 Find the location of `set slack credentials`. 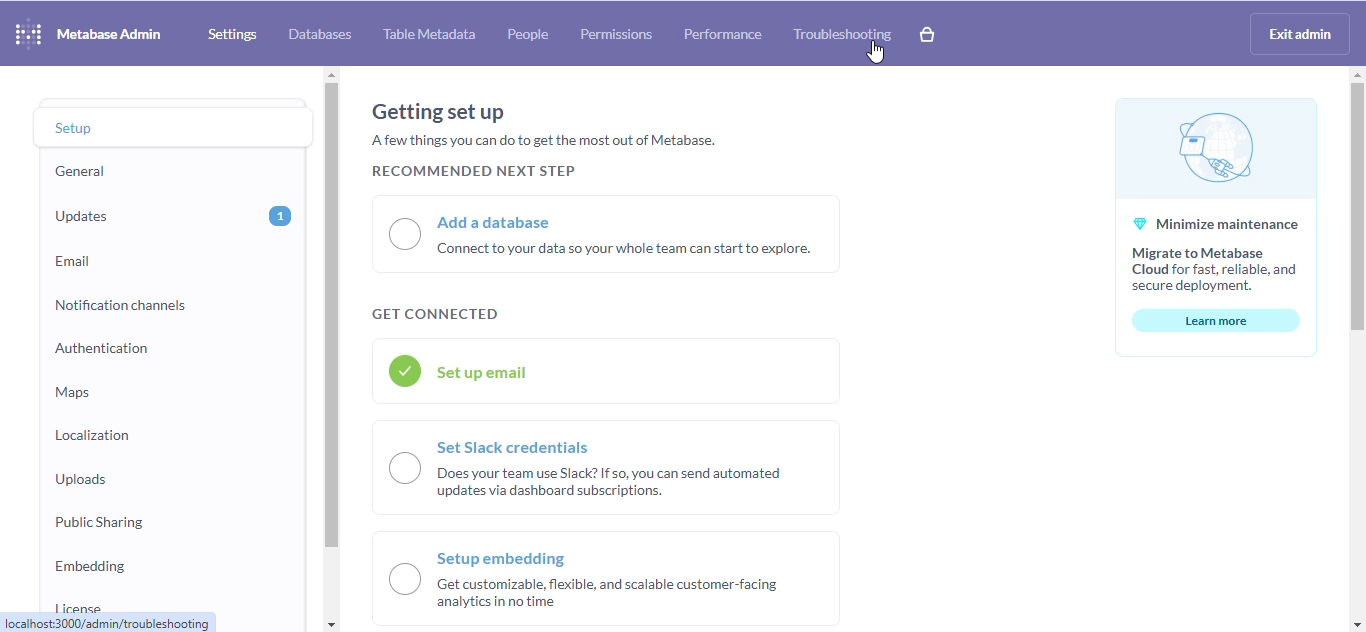

set slack credentials is located at coordinates (606, 467).